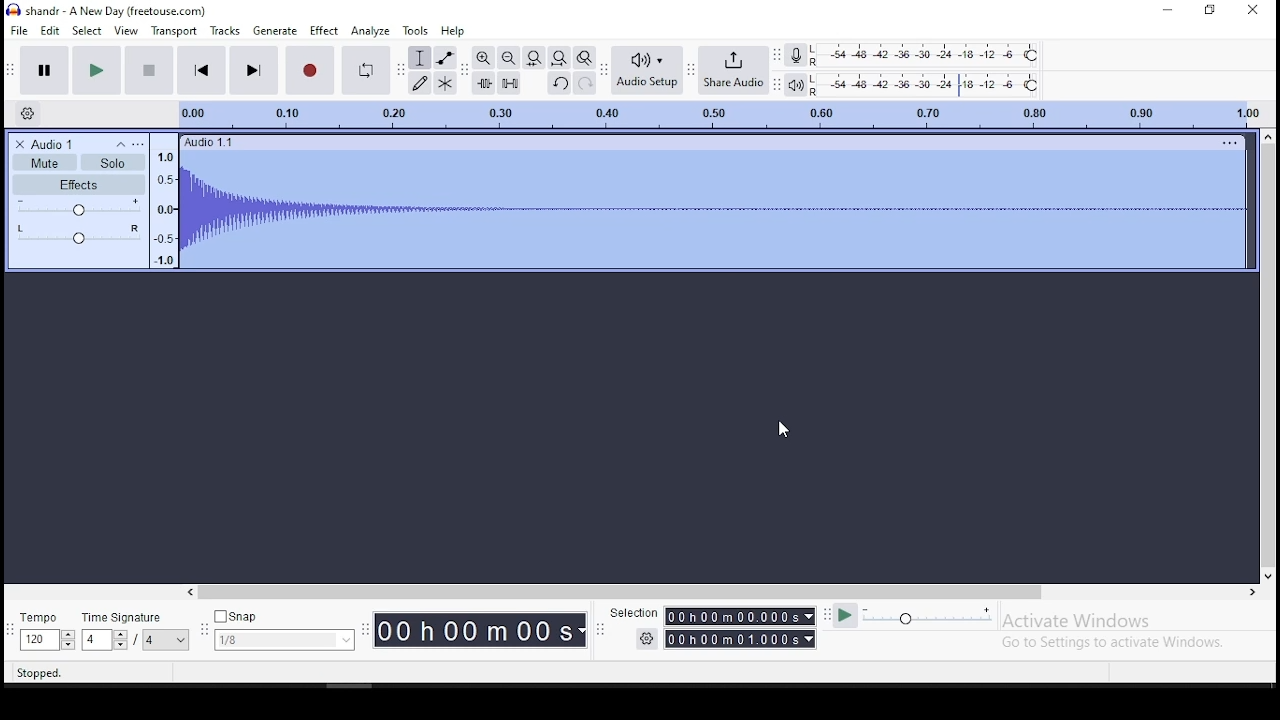 Image resolution: width=1280 pixels, height=720 pixels. I want to click on tools, so click(418, 30).